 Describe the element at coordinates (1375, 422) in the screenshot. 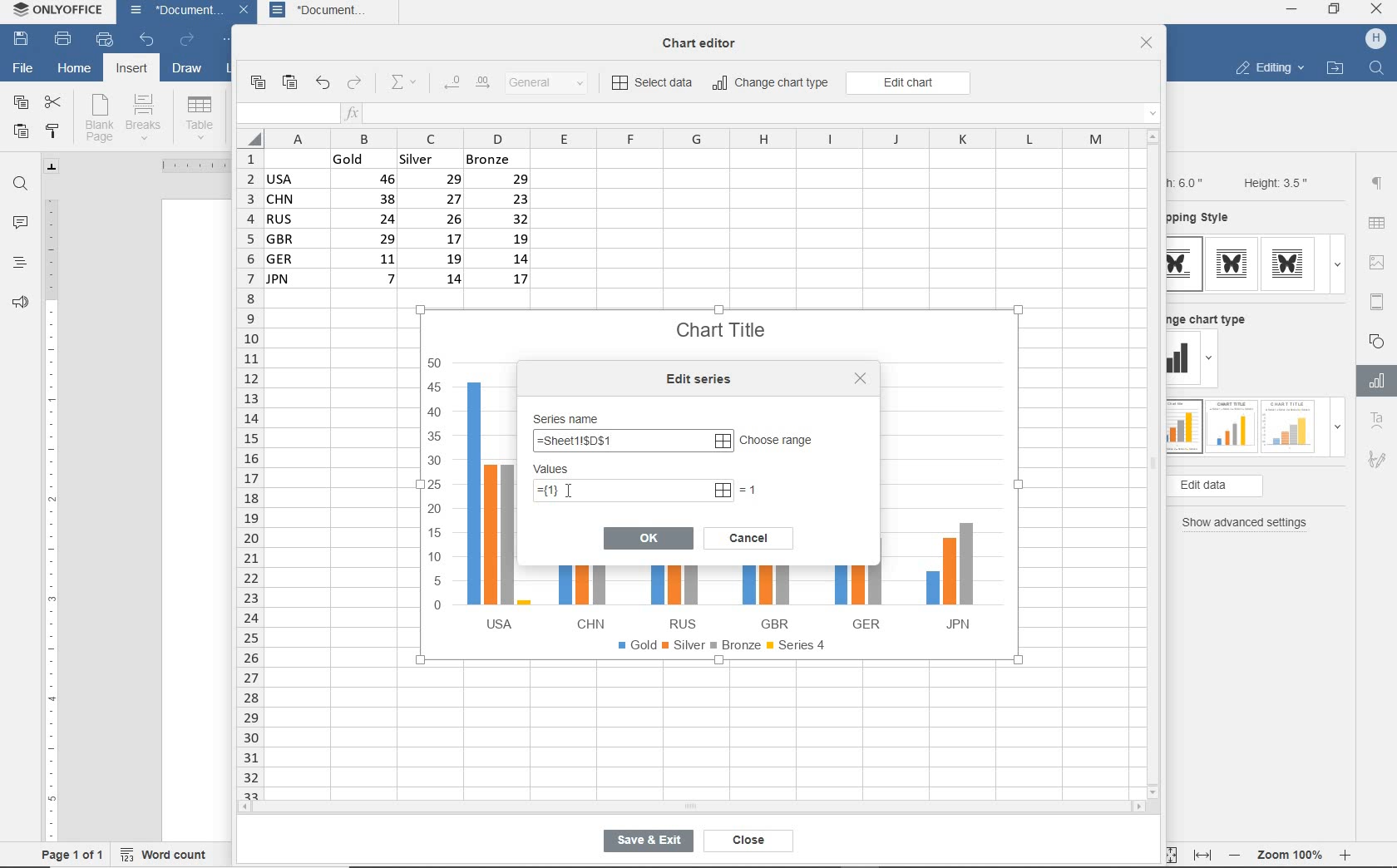

I see `Text Art Settings` at that location.